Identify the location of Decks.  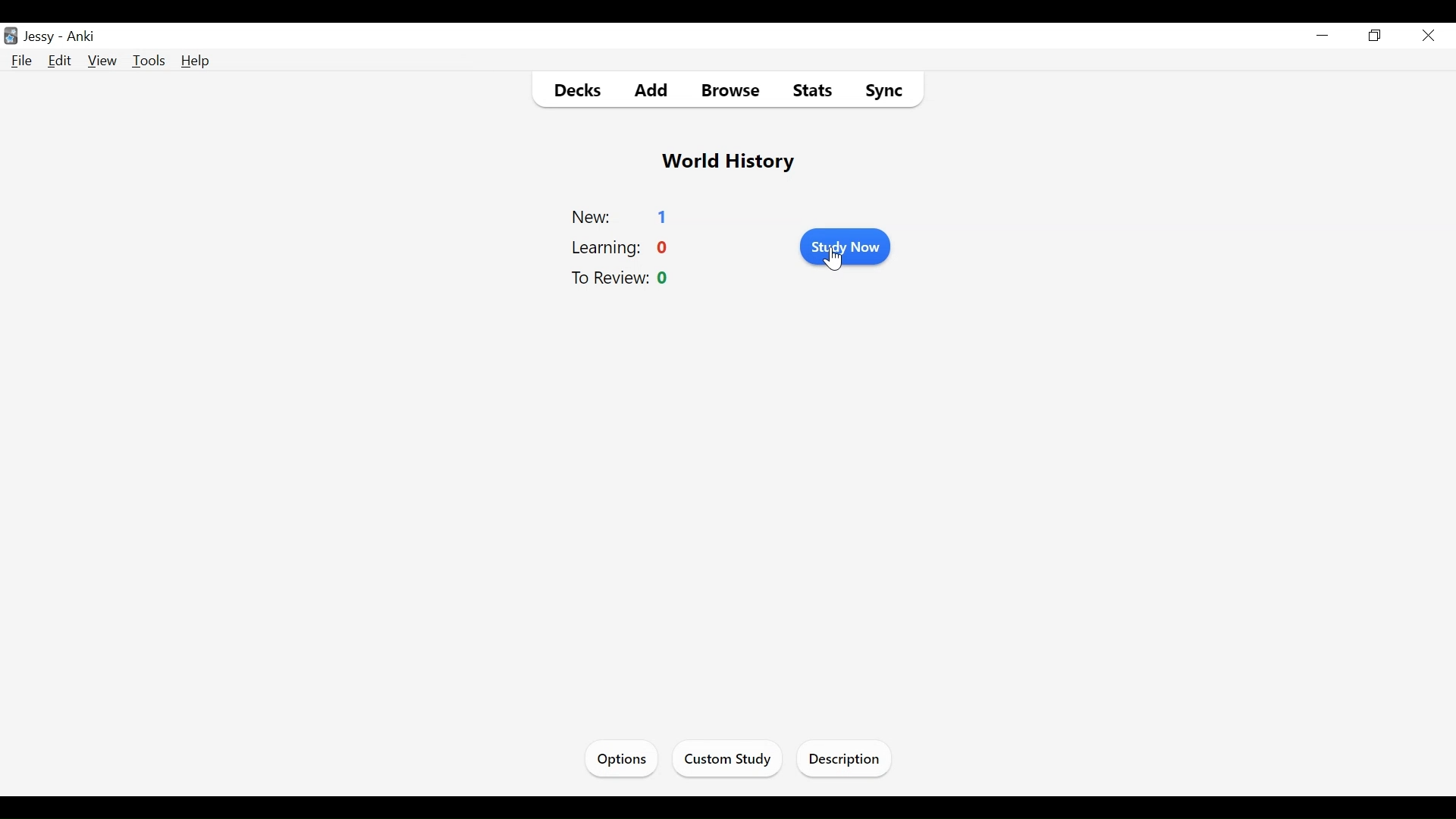
(571, 89).